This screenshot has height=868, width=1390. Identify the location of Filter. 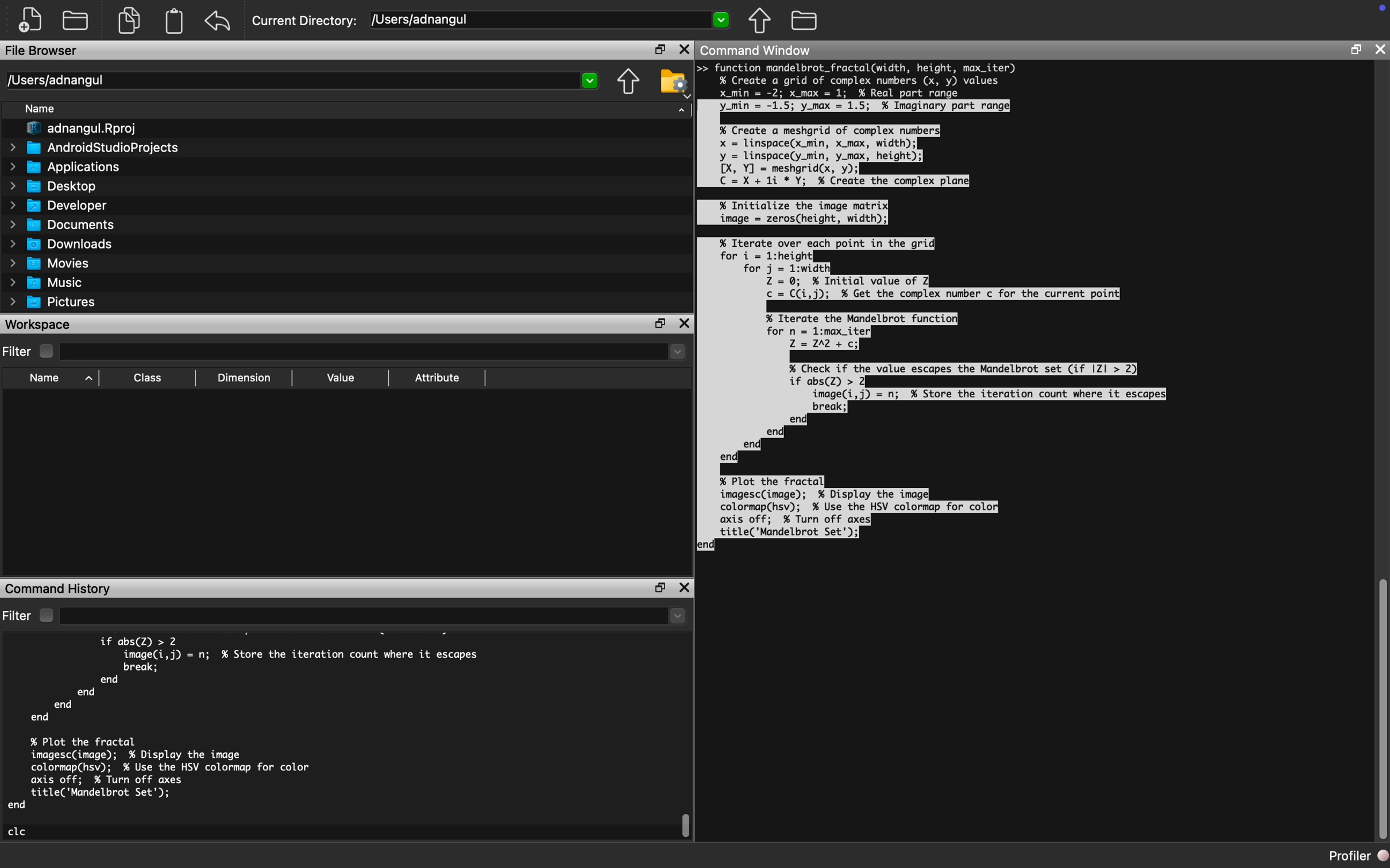
(17, 351).